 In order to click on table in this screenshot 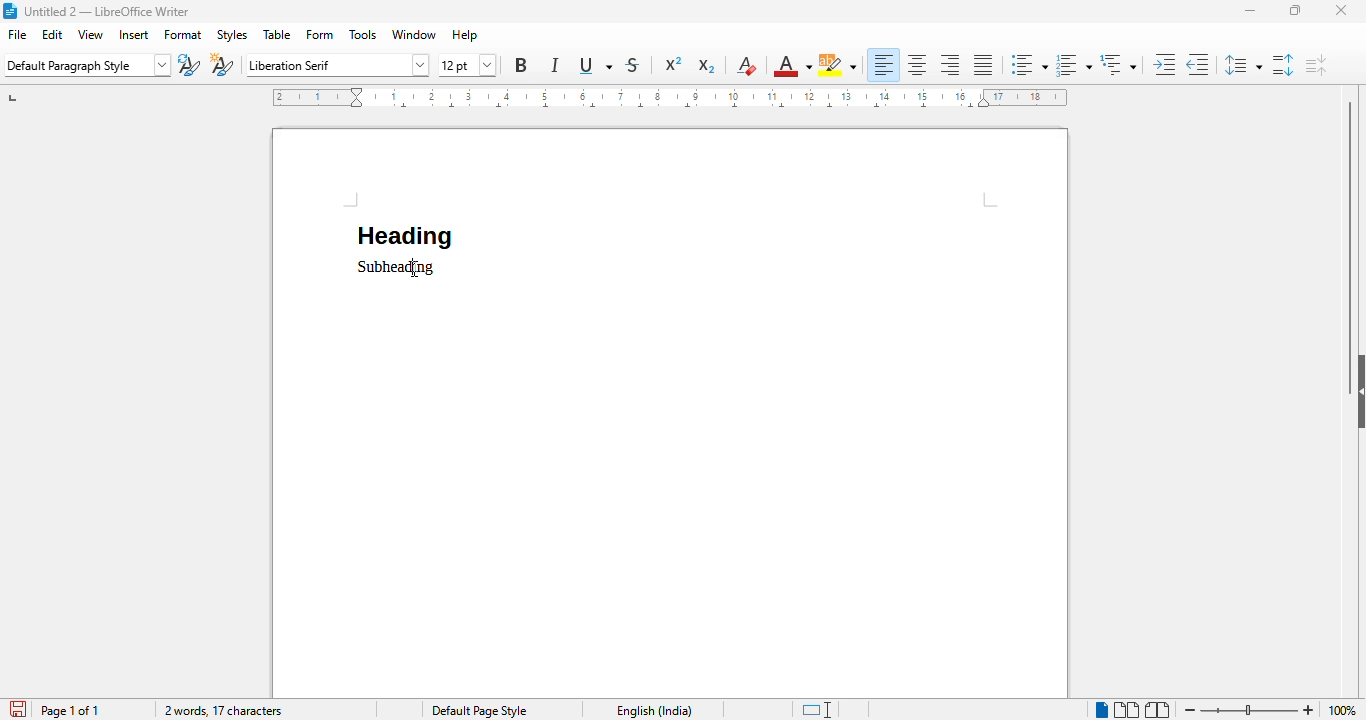, I will do `click(277, 34)`.